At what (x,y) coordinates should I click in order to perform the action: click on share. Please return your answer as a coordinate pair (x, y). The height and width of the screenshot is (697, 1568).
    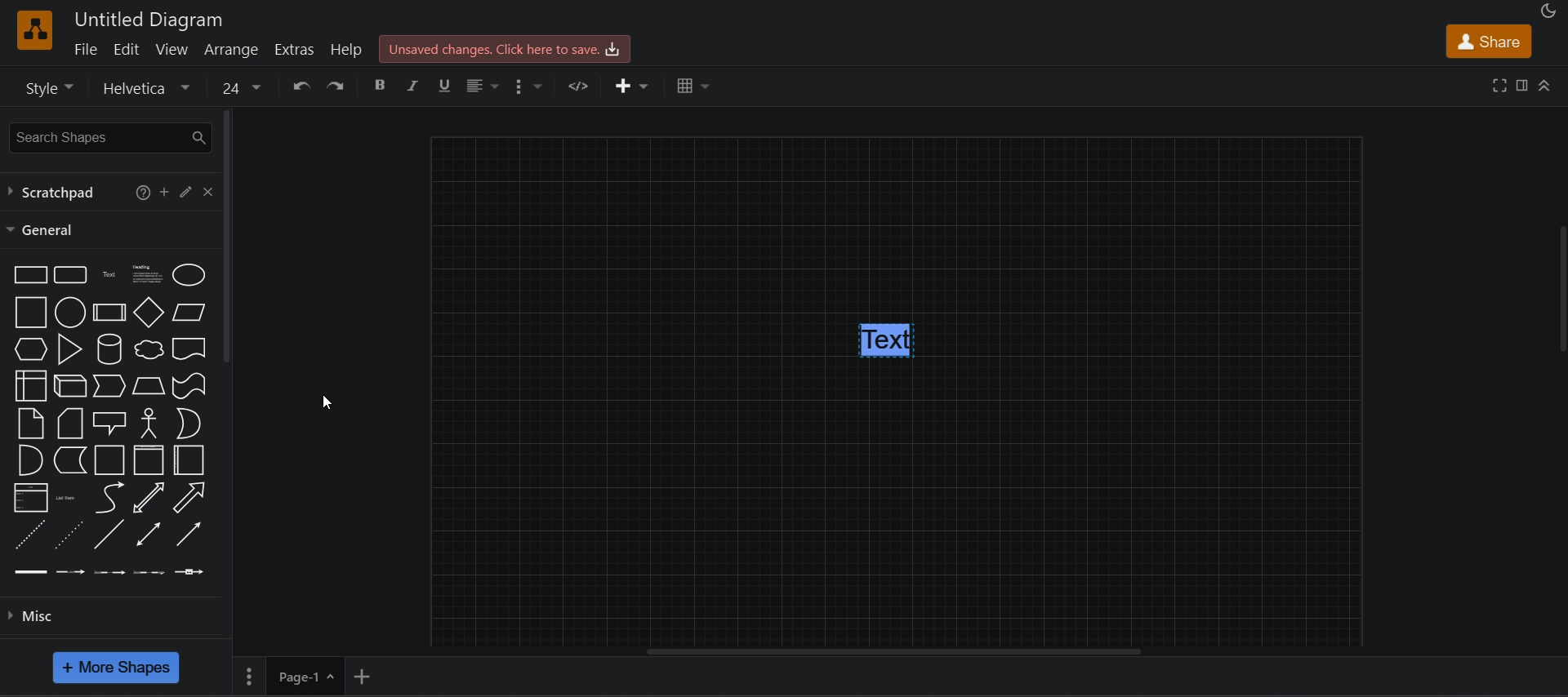
    Looking at the image, I should click on (1490, 41).